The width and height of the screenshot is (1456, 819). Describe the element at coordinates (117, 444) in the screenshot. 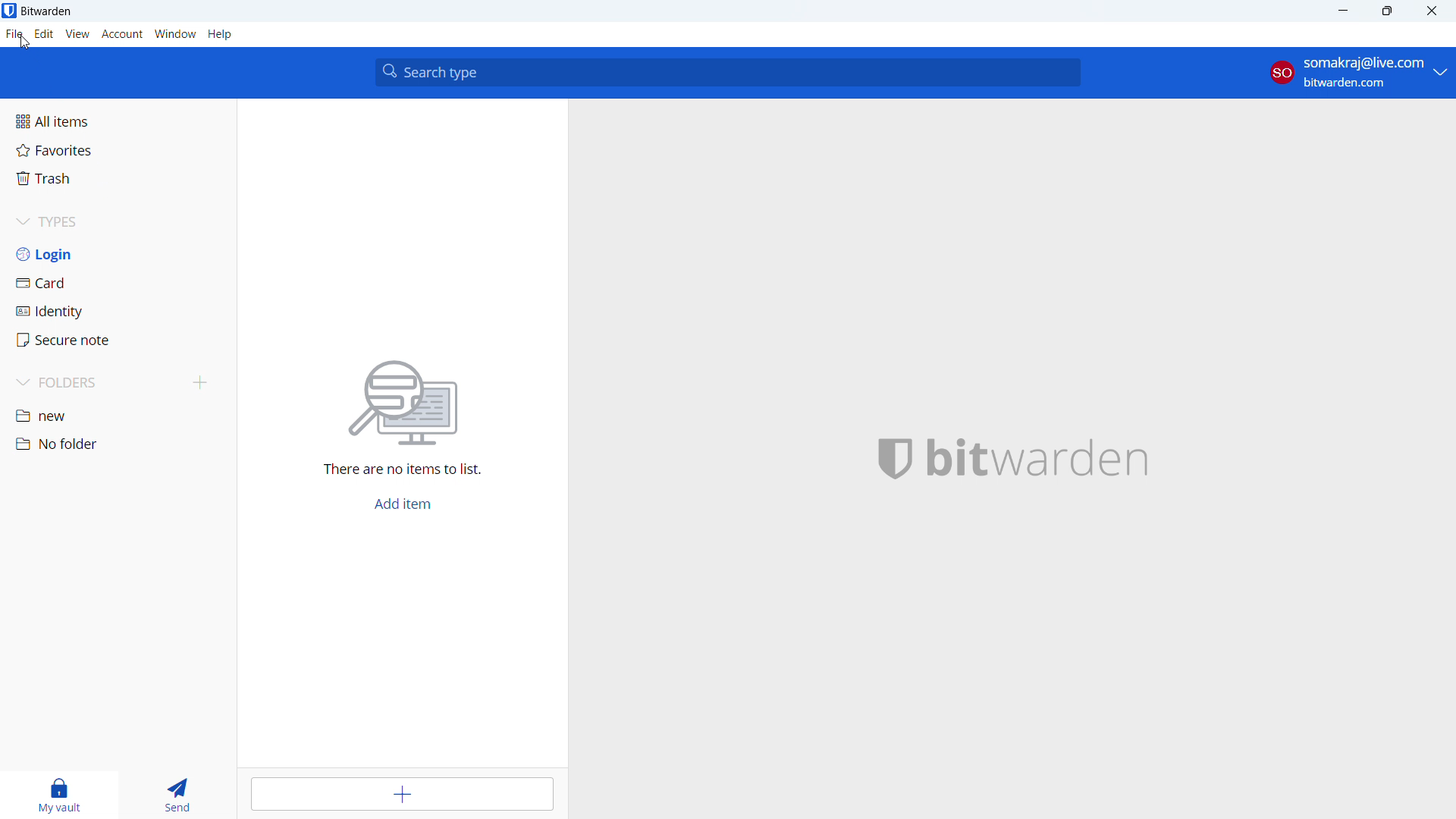

I see `folder 2` at that location.